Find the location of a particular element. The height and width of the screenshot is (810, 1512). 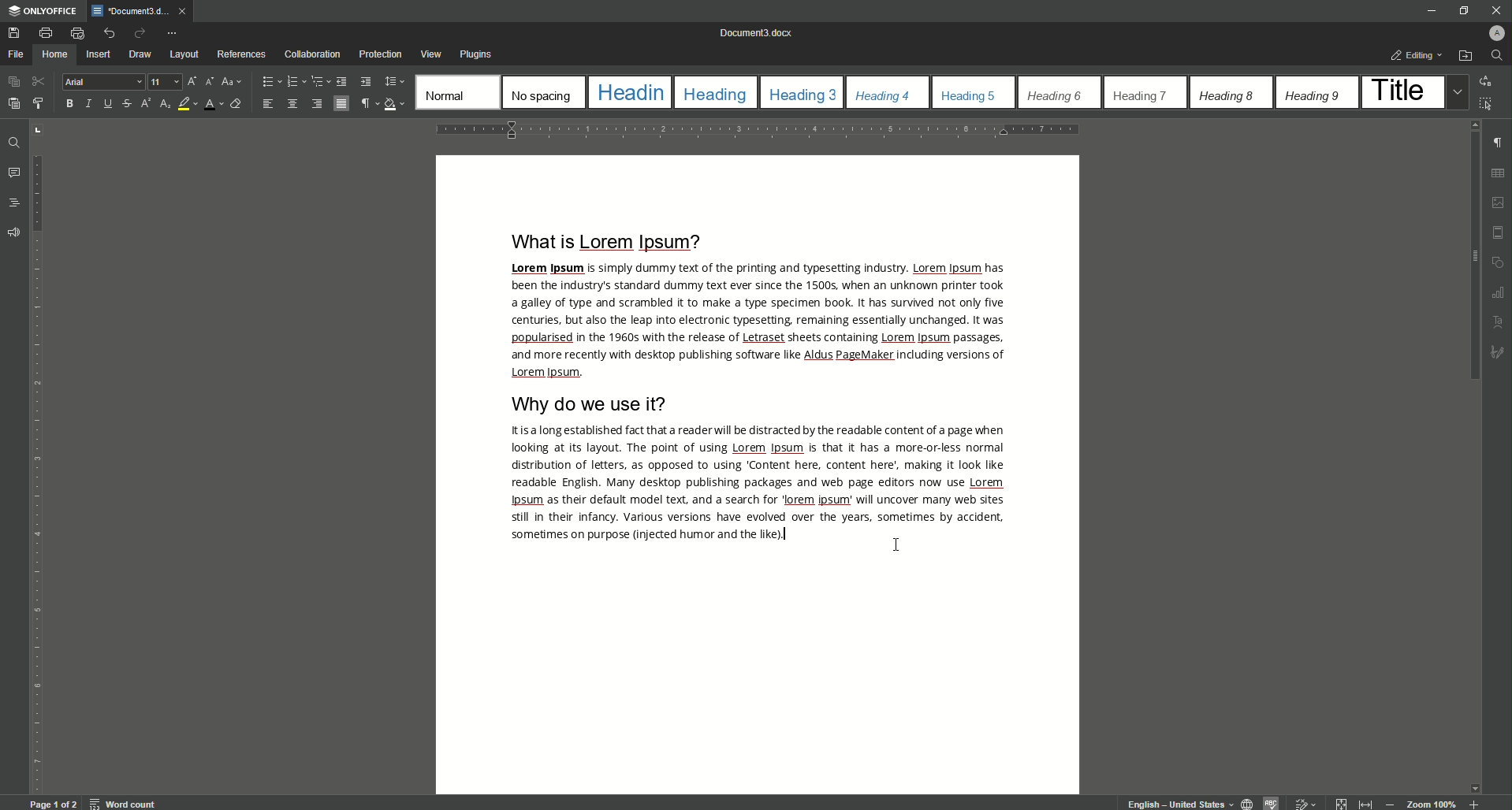

Superscript is located at coordinates (145, 107).